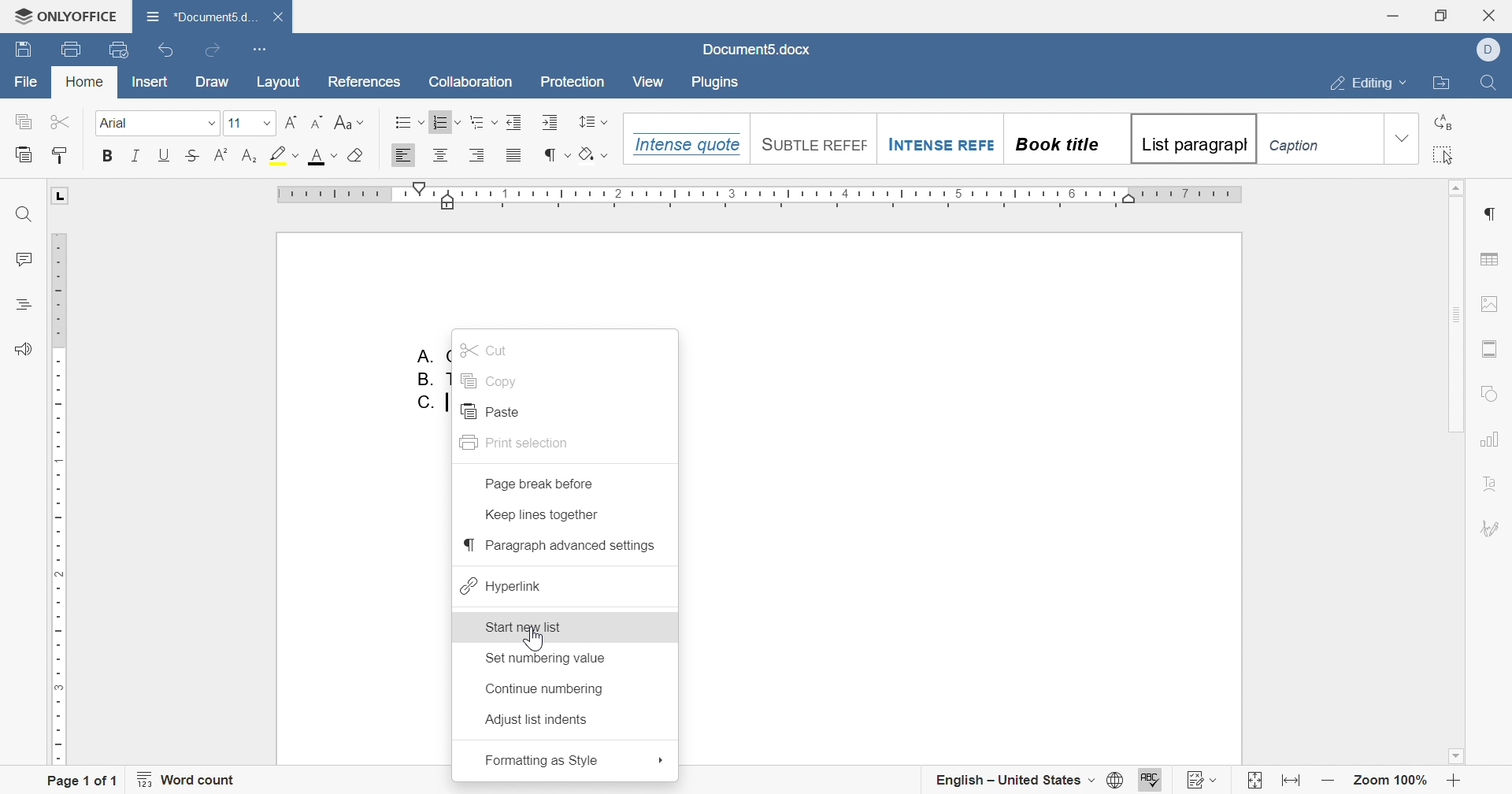  What do you see at coordinates (26, 349) in the screenshot?
I see `feedback & support` at bounding box center [26, 349].